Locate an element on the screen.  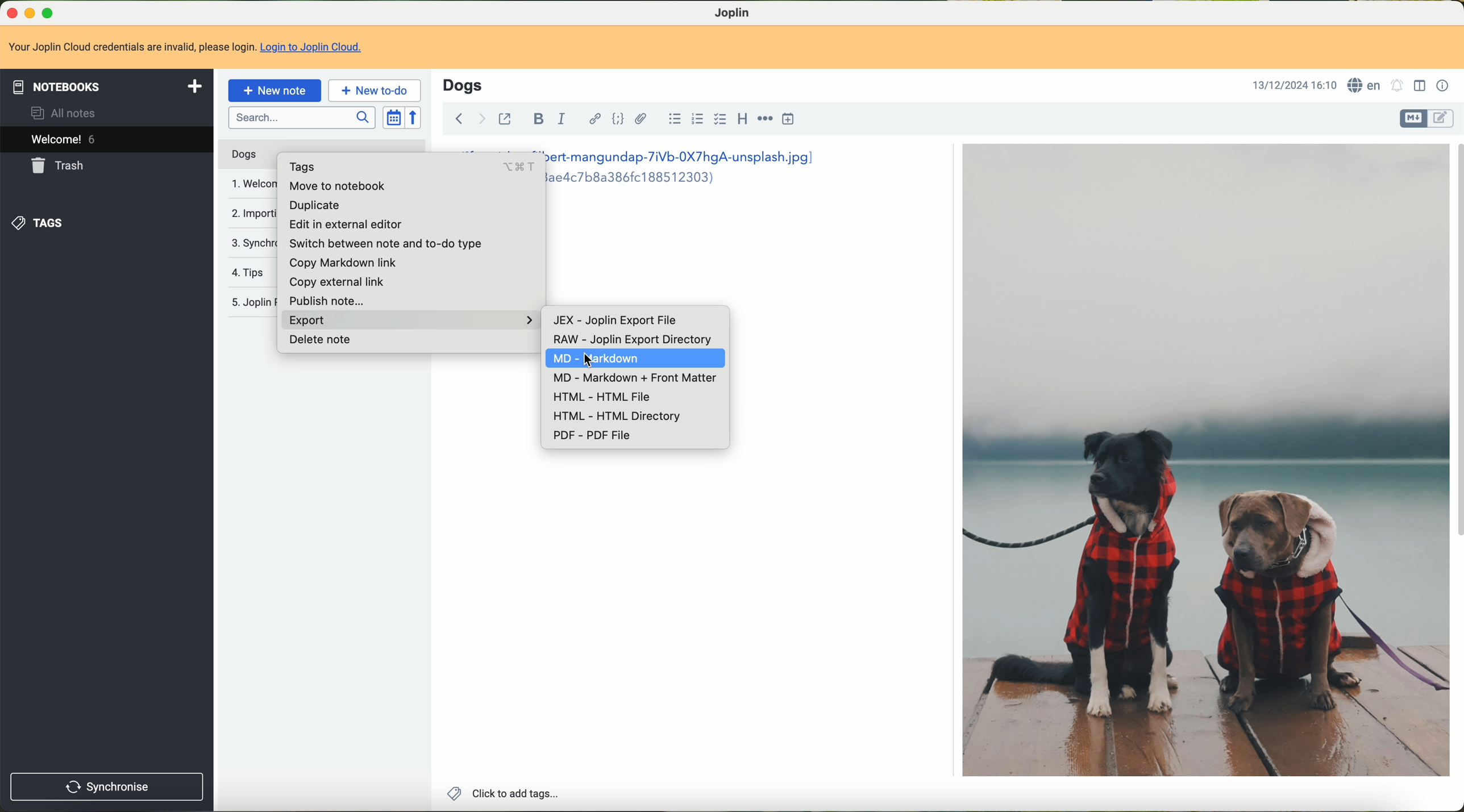
insert time is located at coordinates (790, 120).